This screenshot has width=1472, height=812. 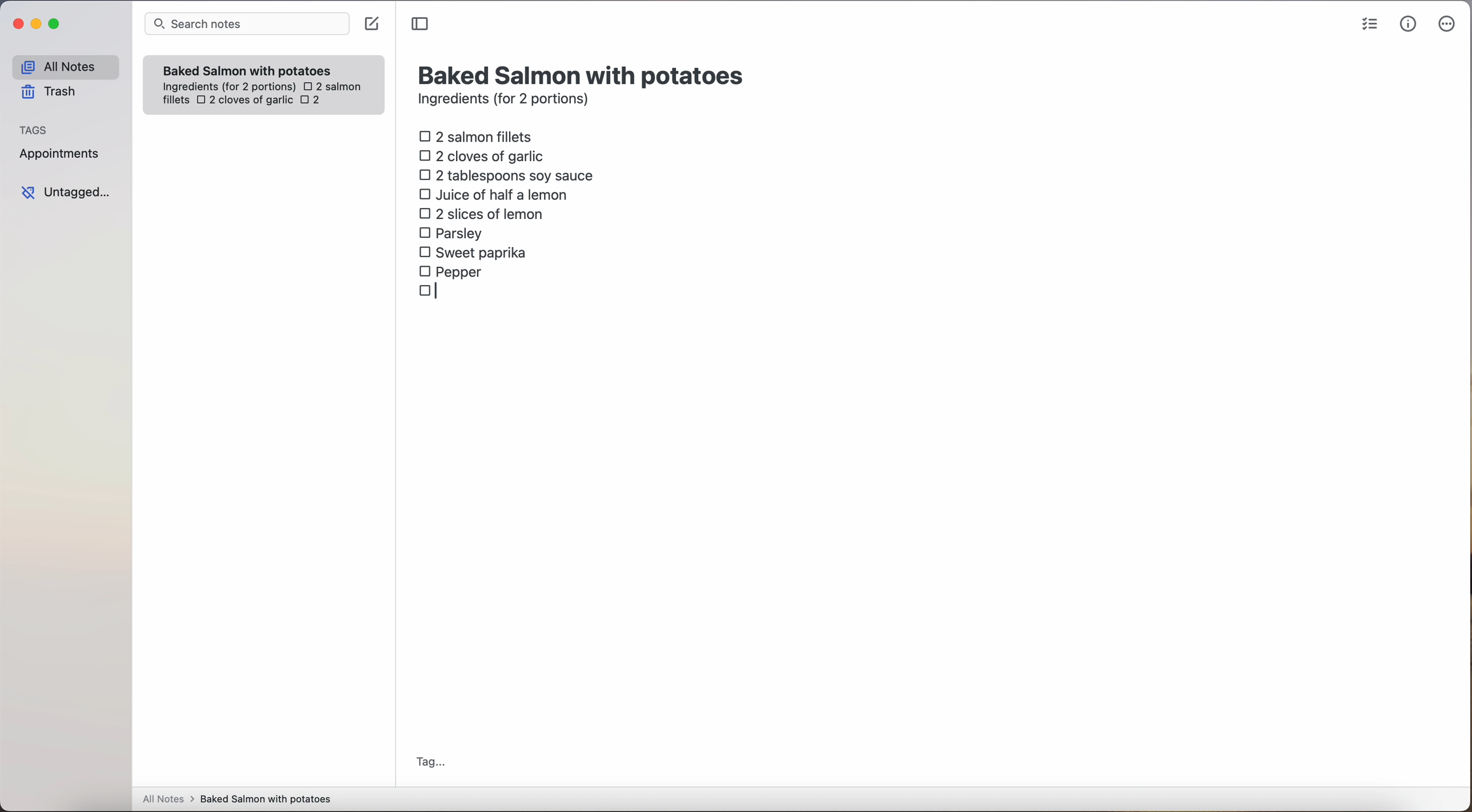 What do you see at coordinates (314, 101) in the screenshot?
I see `2 ` at bounding box center [314, 101].